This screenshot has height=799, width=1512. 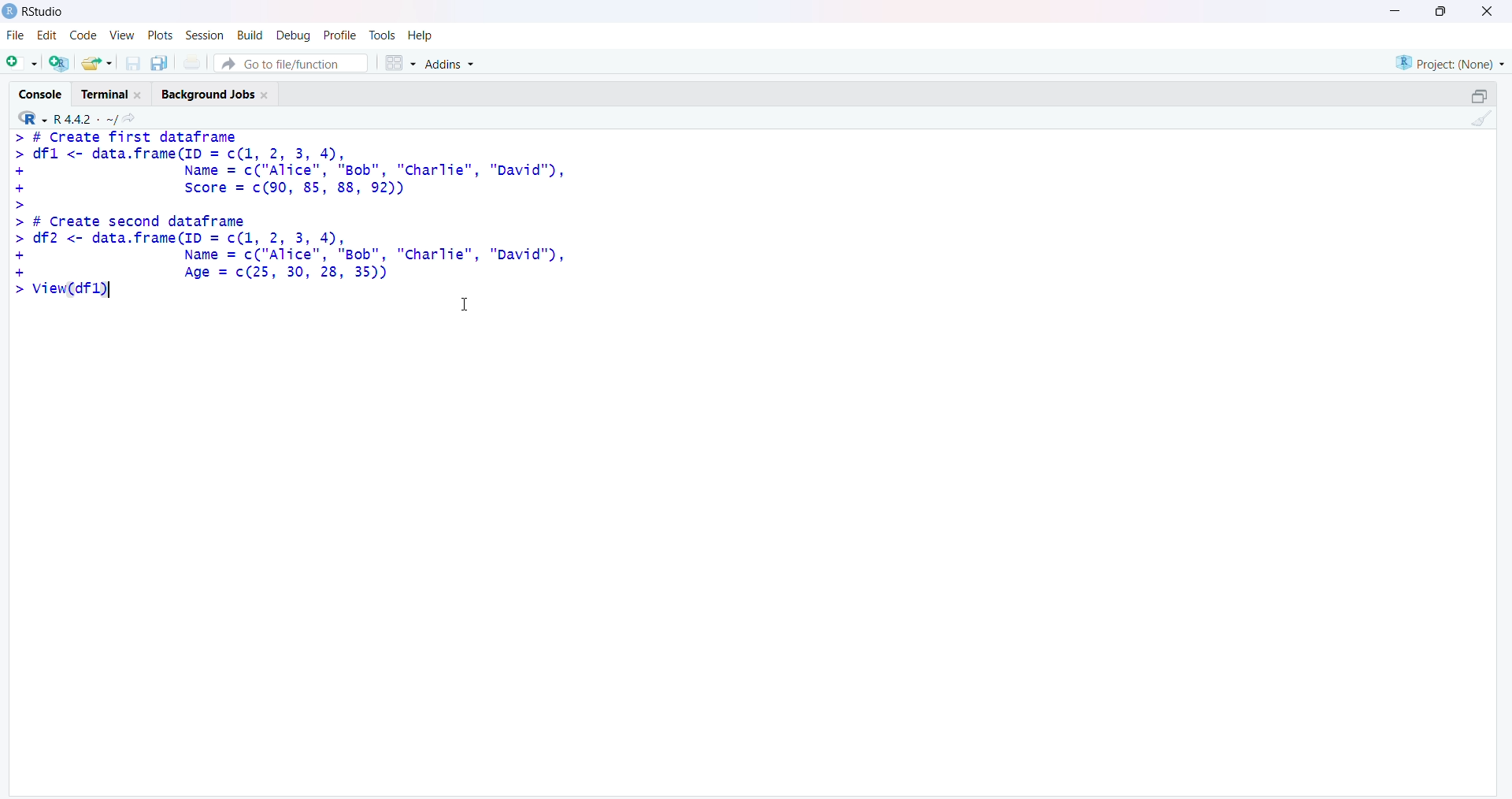 I want to click on R 4.4.2  ~/, so click(x=85, y=119).